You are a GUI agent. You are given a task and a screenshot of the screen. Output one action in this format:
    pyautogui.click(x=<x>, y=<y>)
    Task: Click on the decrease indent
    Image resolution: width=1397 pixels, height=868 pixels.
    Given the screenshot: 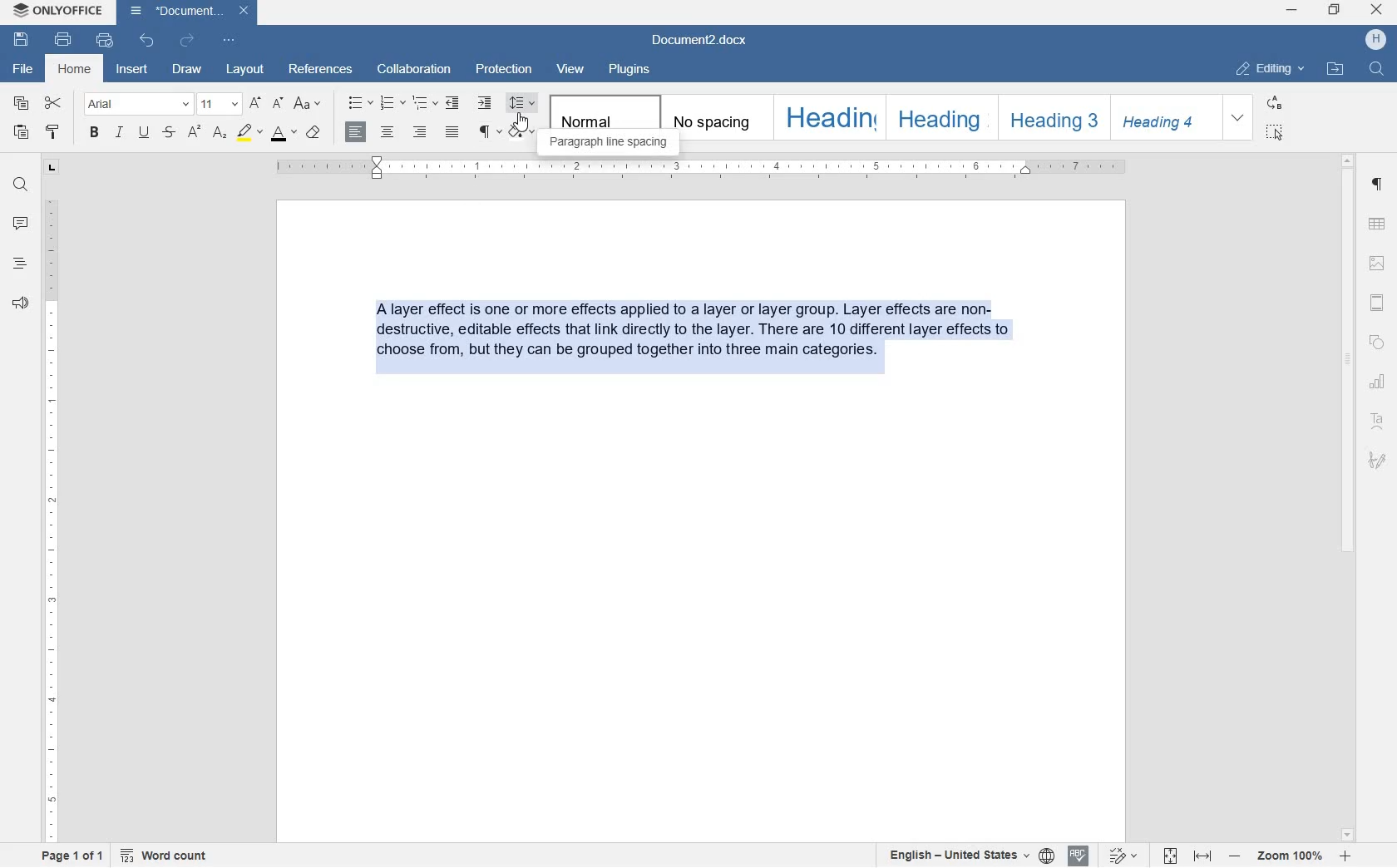 What is the action you would take?
    pyautogui.click(x=456, y=102)
    